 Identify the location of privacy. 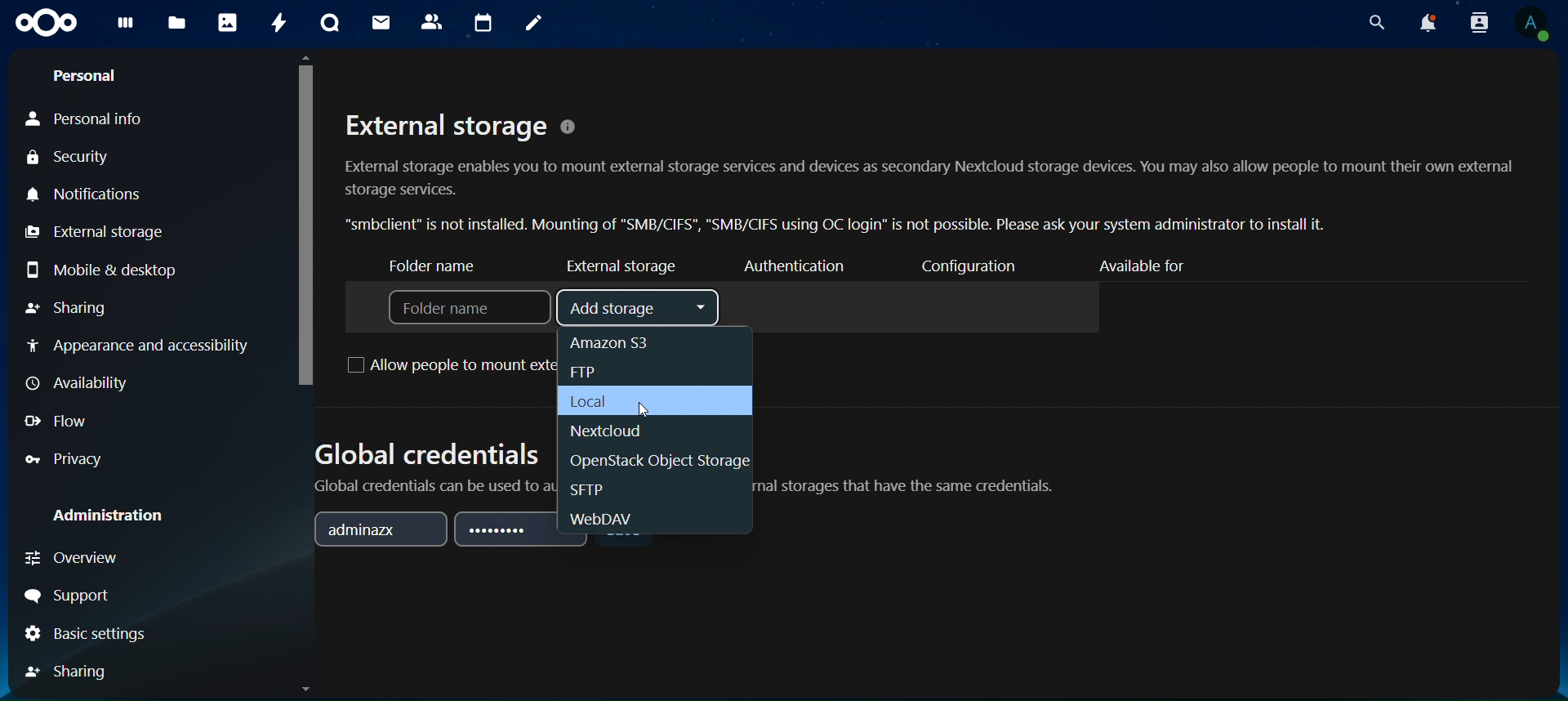
(64, 458).